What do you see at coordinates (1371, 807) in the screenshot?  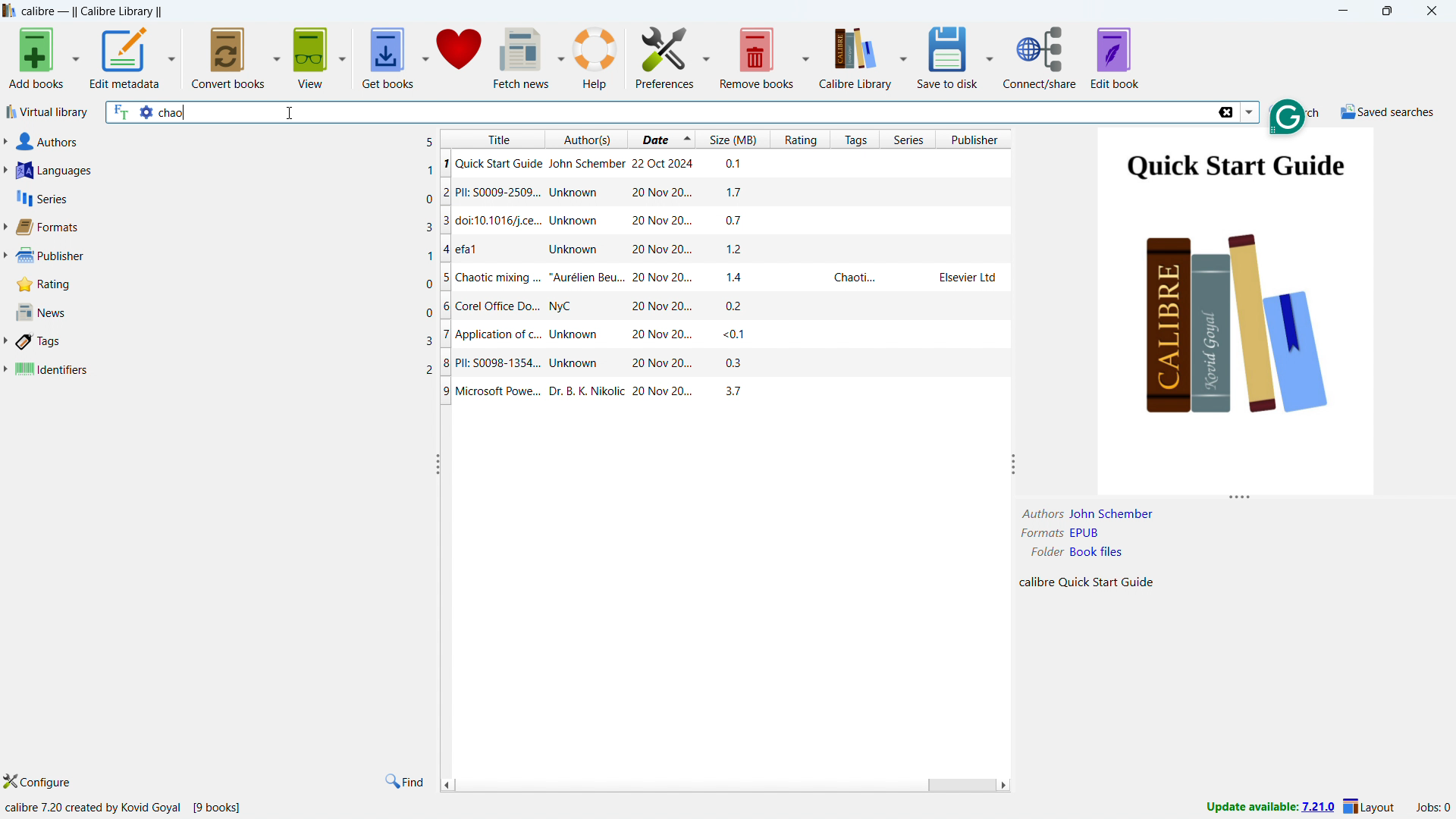 I see `layout` at bounding box center [1371, 807].